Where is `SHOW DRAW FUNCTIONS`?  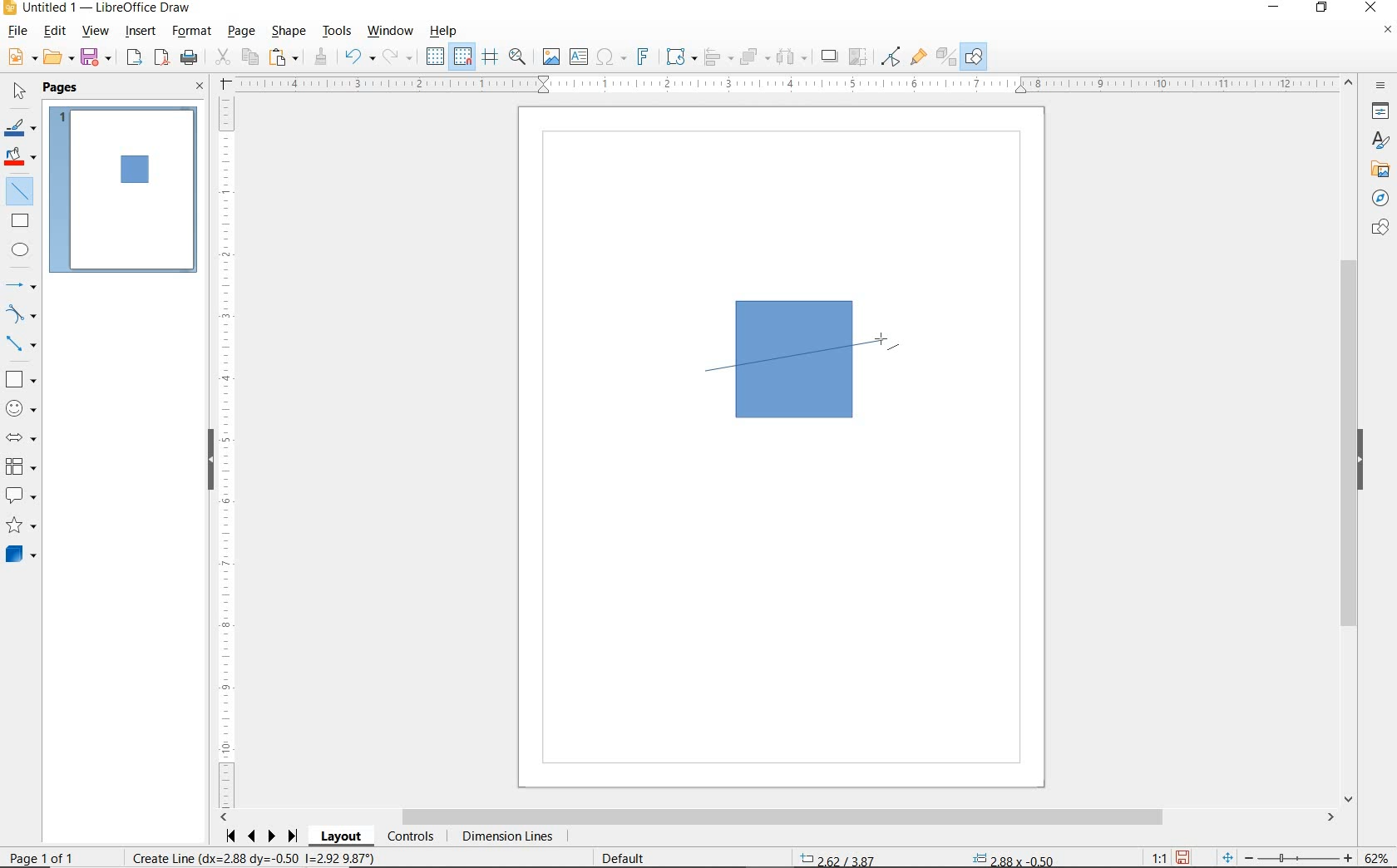 SHOW DRAW FUNCTIONS is located at coordinates (975, 57).